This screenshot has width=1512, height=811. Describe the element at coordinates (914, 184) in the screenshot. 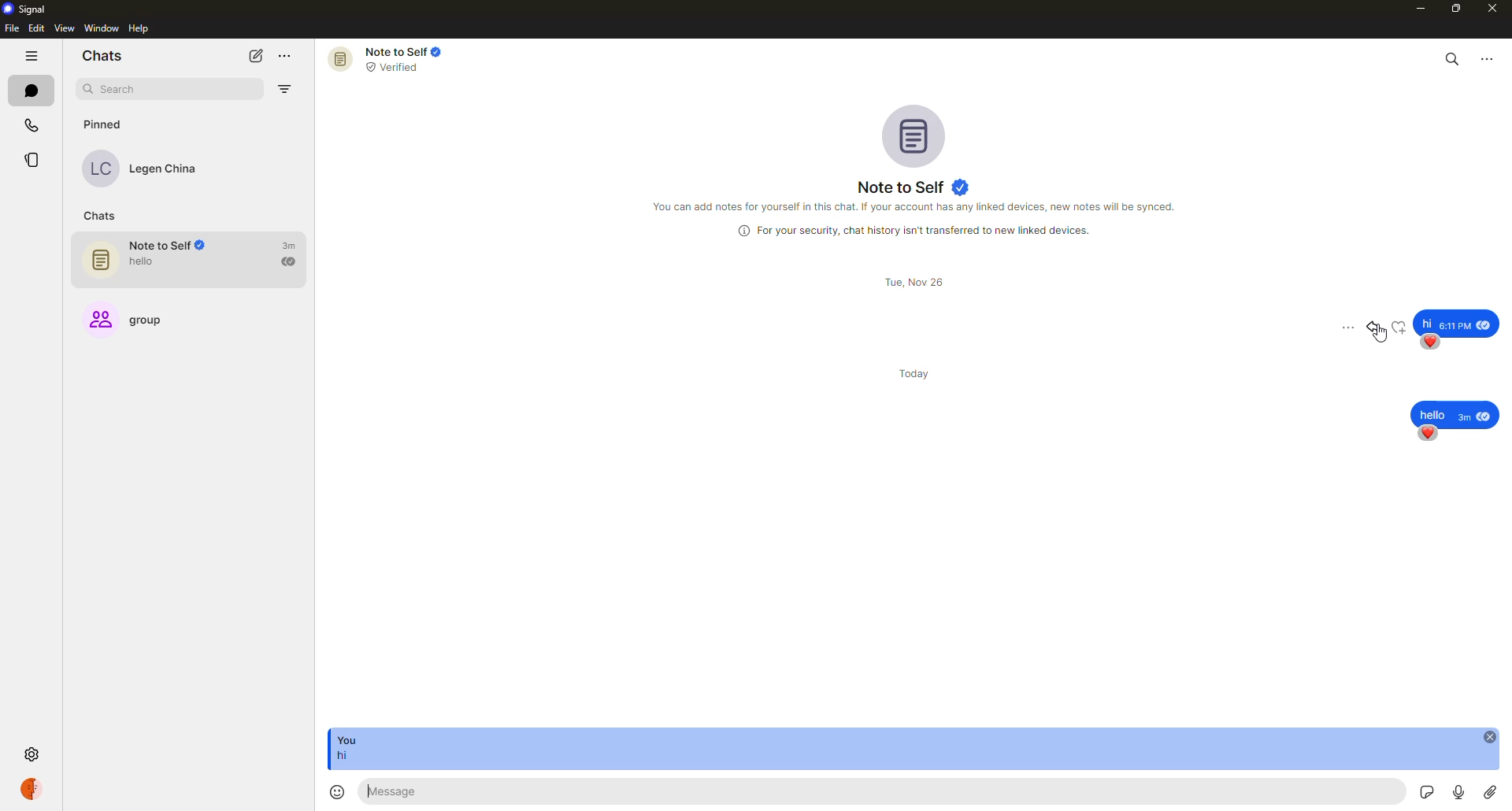

I see `note to self` at that location.